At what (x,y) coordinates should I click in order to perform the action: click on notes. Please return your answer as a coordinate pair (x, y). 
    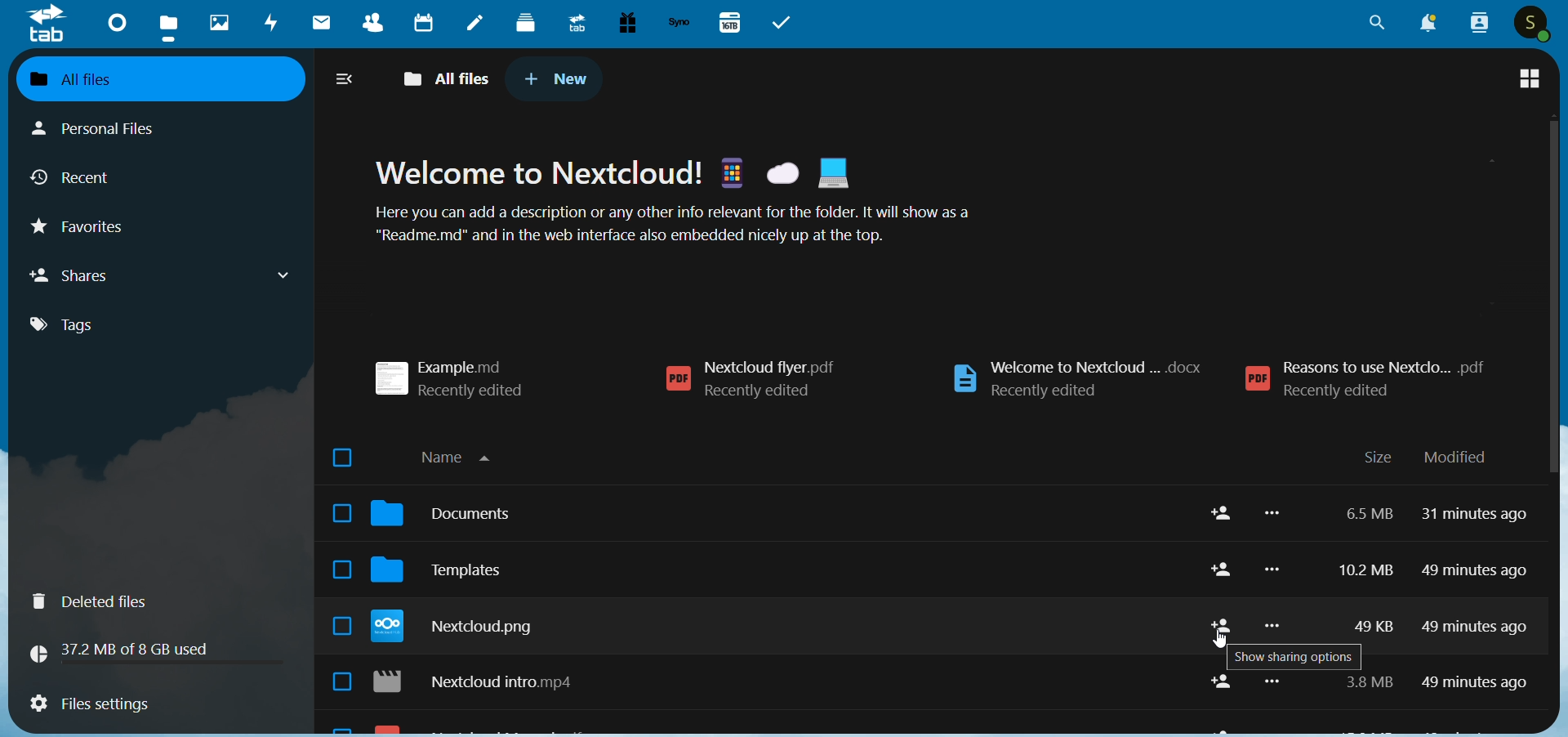
    Looking at the image, I should click on (475, 25).